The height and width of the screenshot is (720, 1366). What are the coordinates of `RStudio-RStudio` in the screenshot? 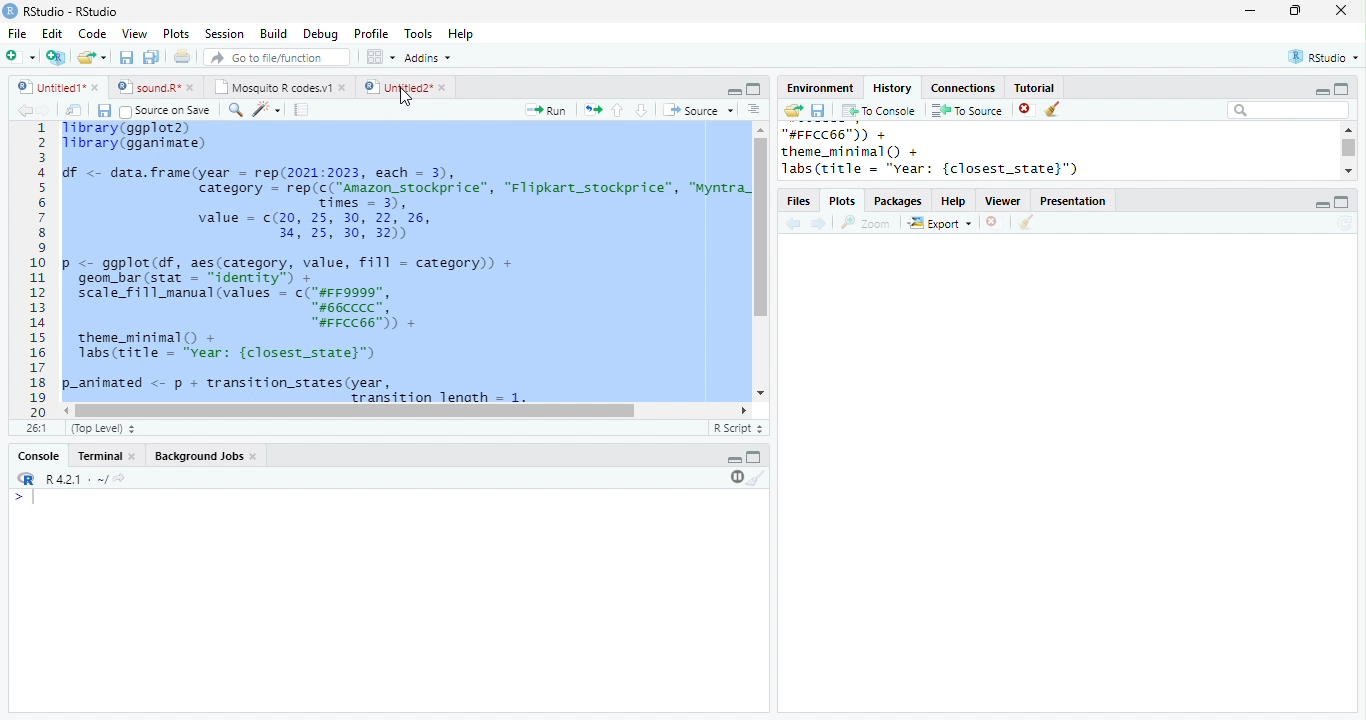 It's located at (71, 11).